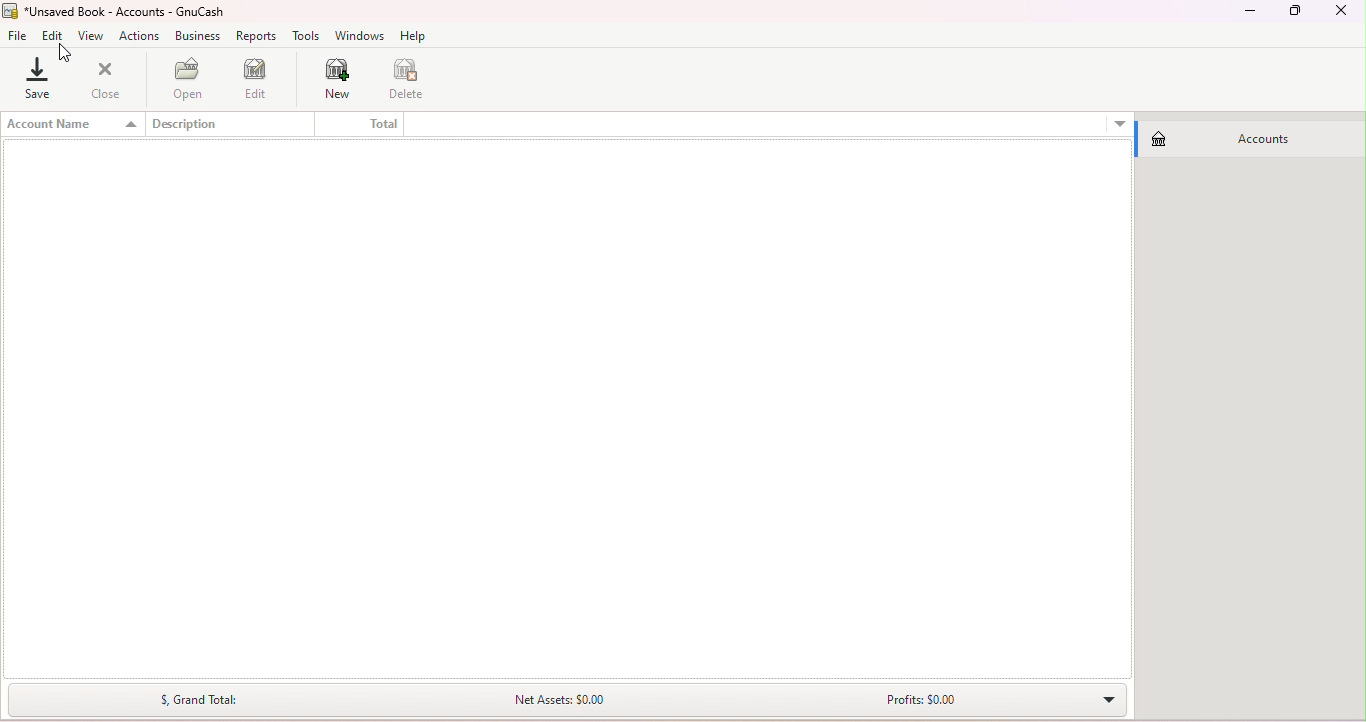 Image resolution: width=1366 pixels, height=722 pixels. I want to click on More options, so click(1118, 122).